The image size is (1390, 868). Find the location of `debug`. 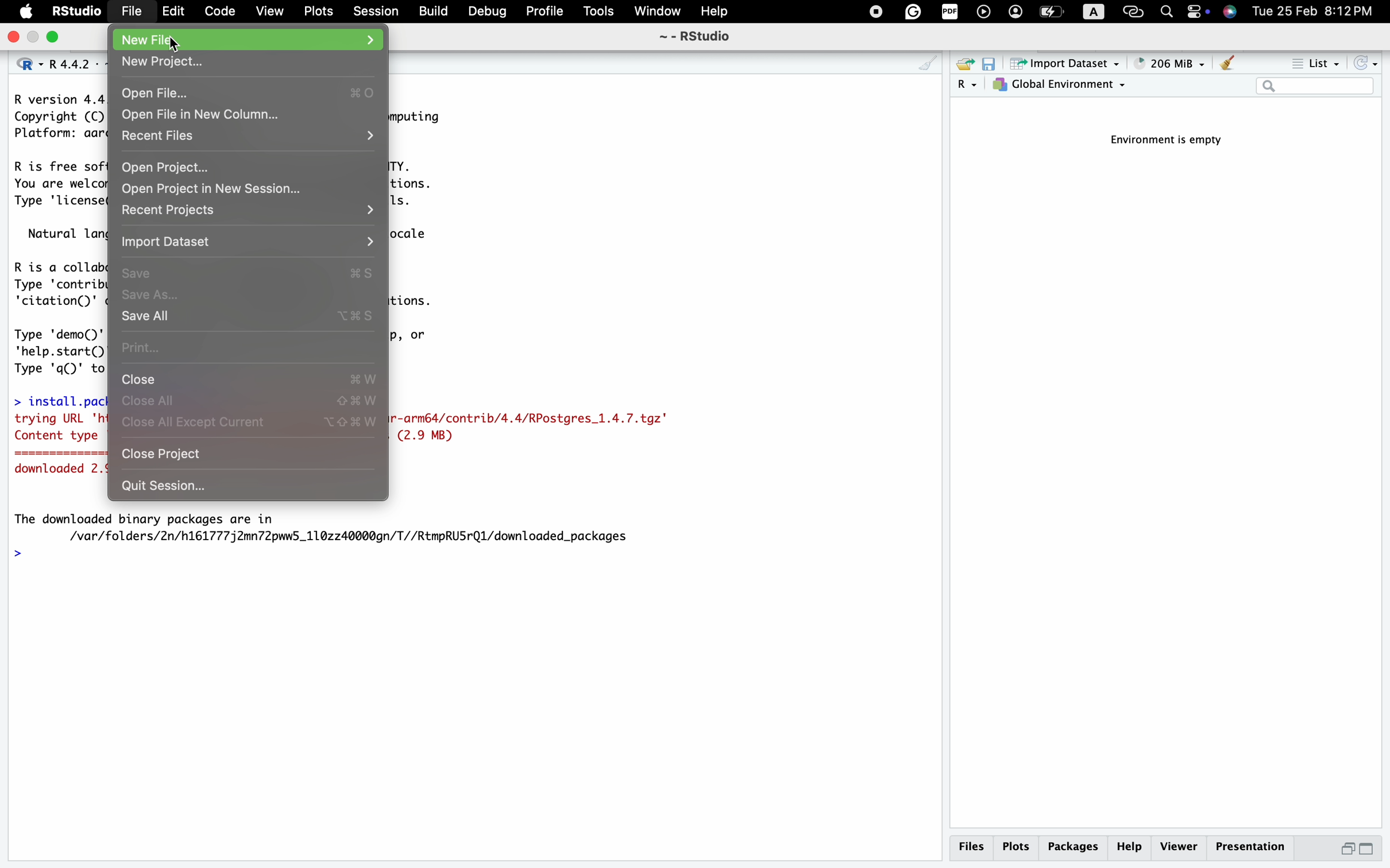

debug is located at coordinates (486, 11).